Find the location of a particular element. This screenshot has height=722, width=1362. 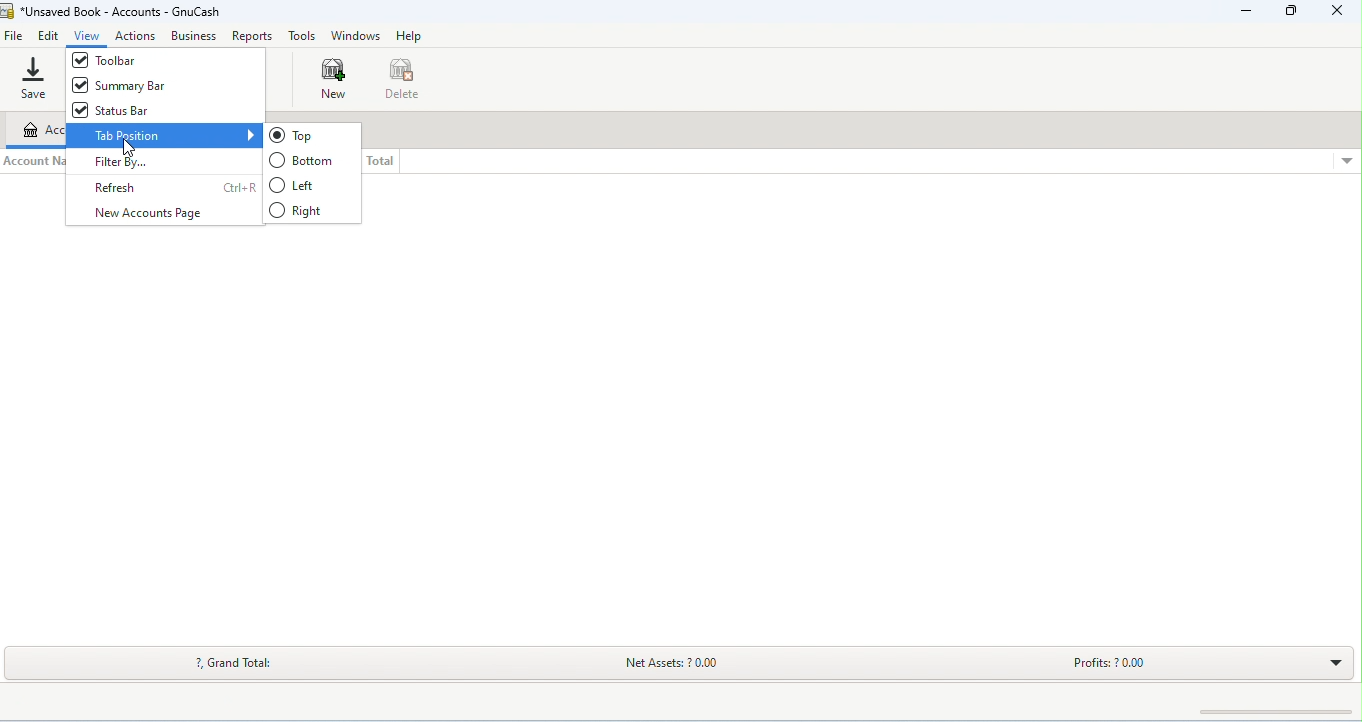

toolbar is located at coordinates (158, 58).